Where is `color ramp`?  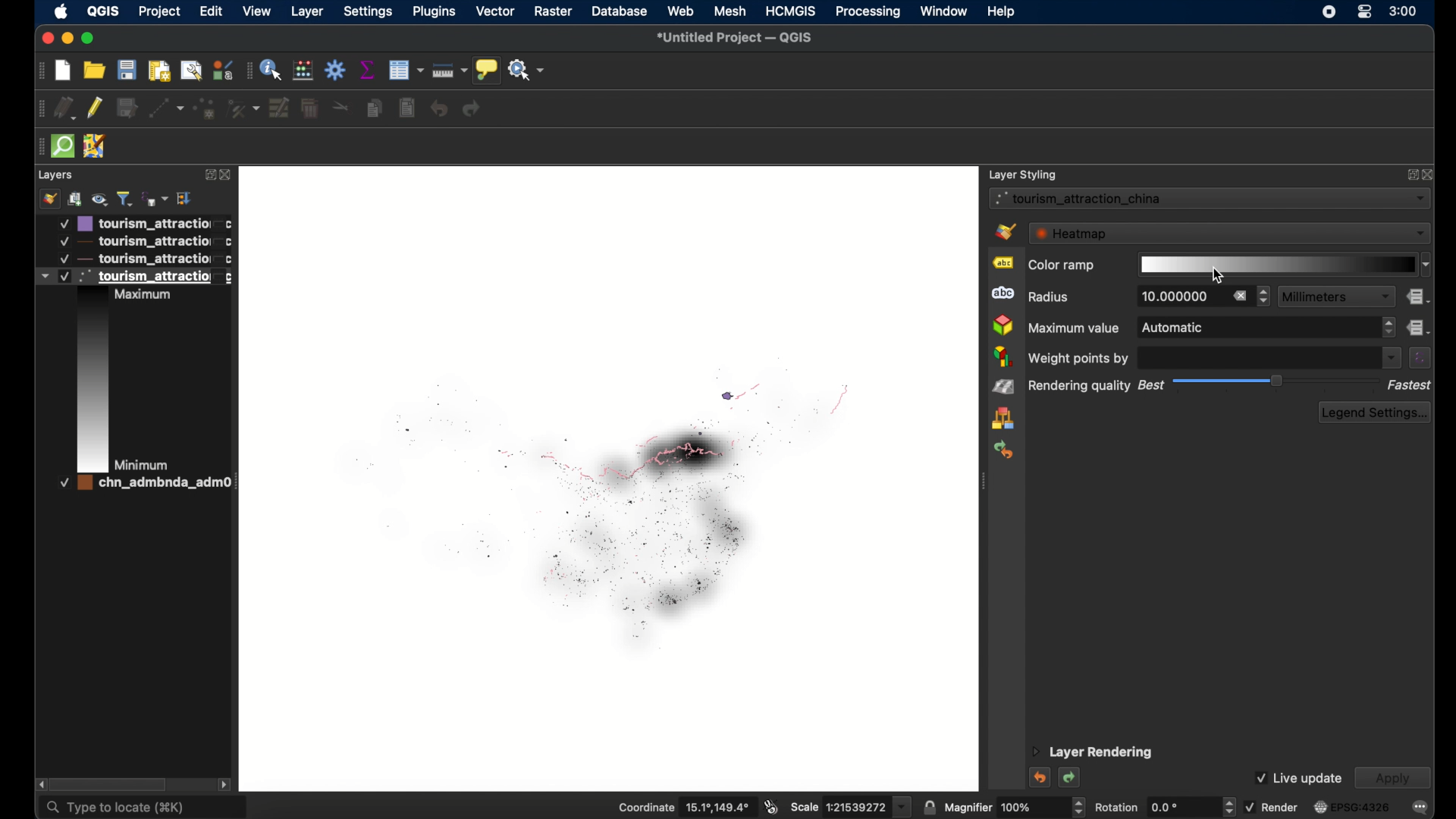
color ramp is located at coordinates (1061, 266).